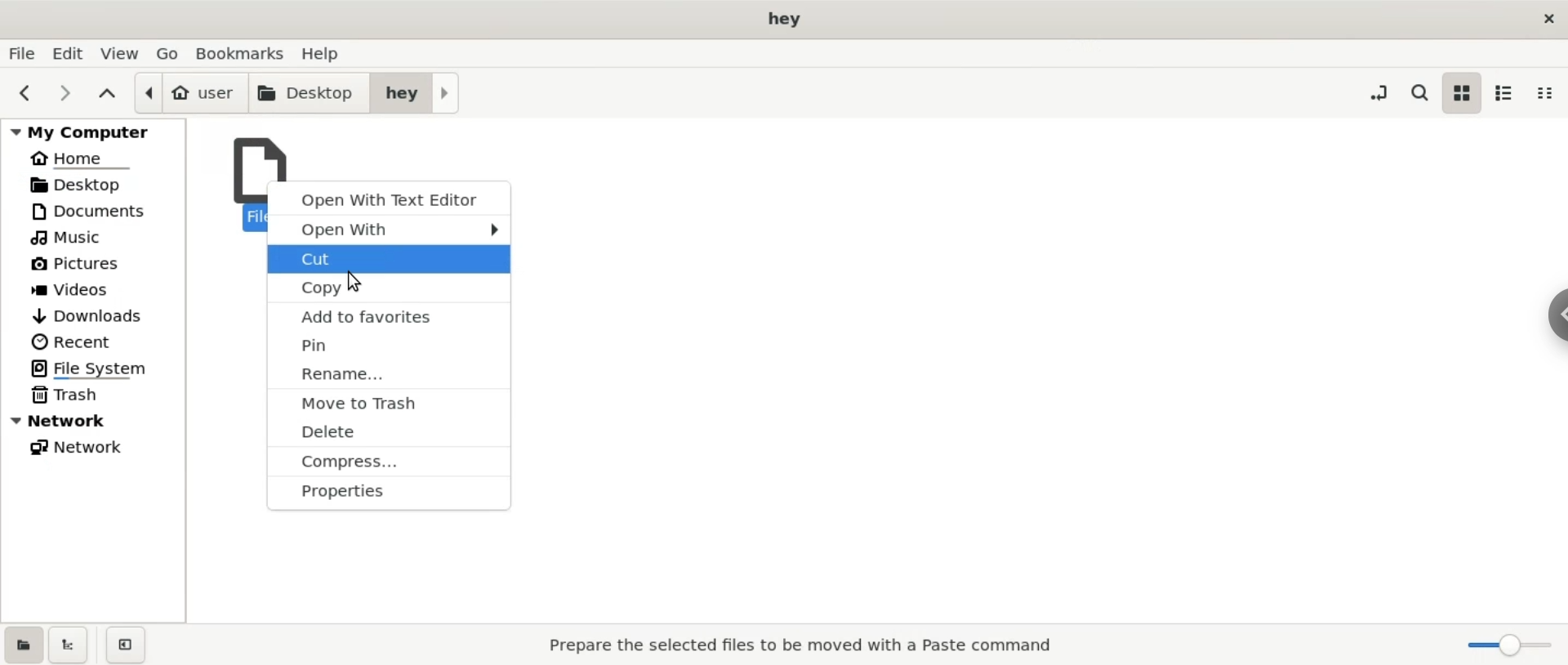 Image resolution: width=1568 pixels, height=665 pixels. I want to click on previous, so click(25, 94).